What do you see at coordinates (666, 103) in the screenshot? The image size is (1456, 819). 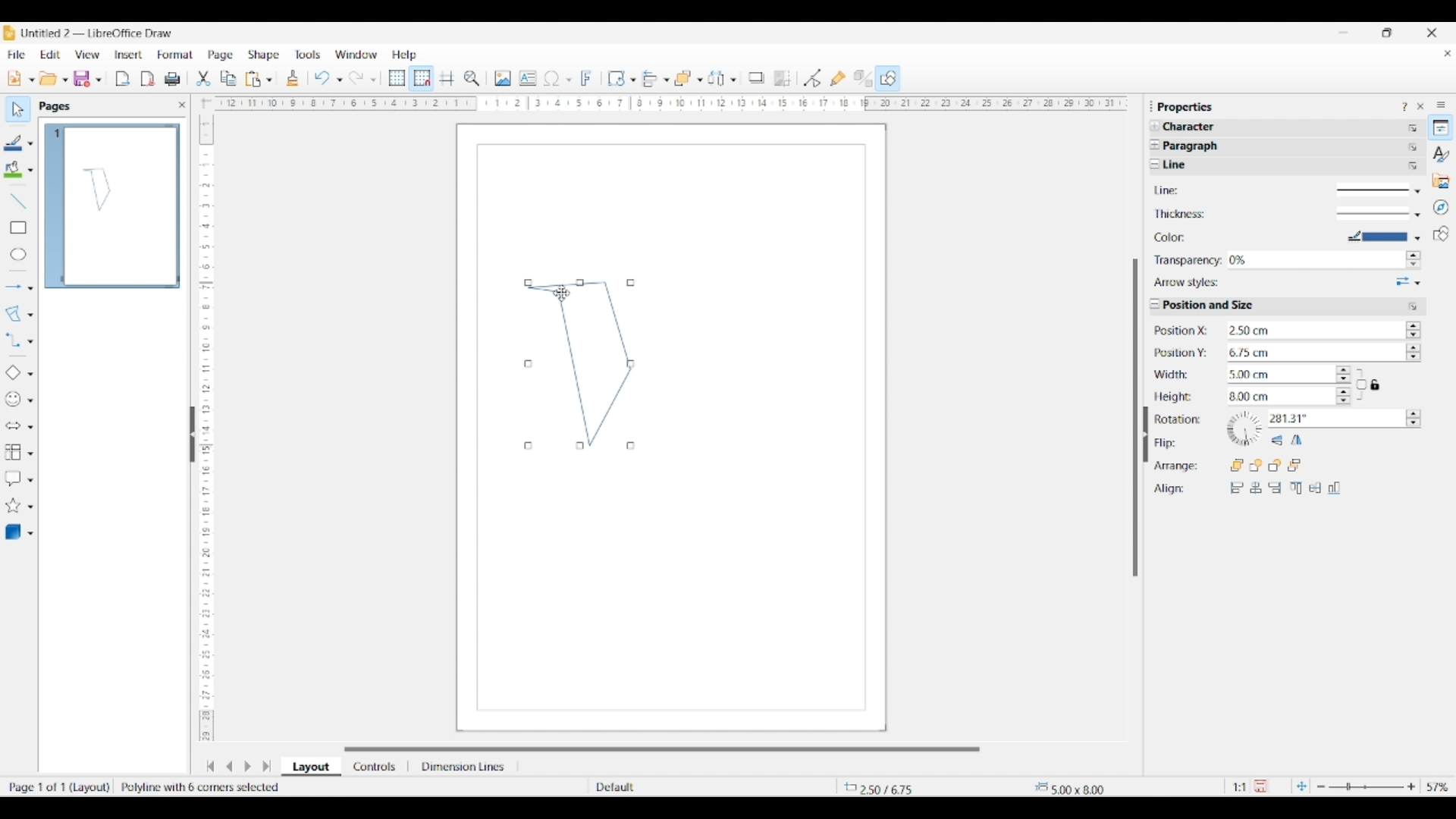 I see `Horizontal ruler` at bounding box center [666, 103].